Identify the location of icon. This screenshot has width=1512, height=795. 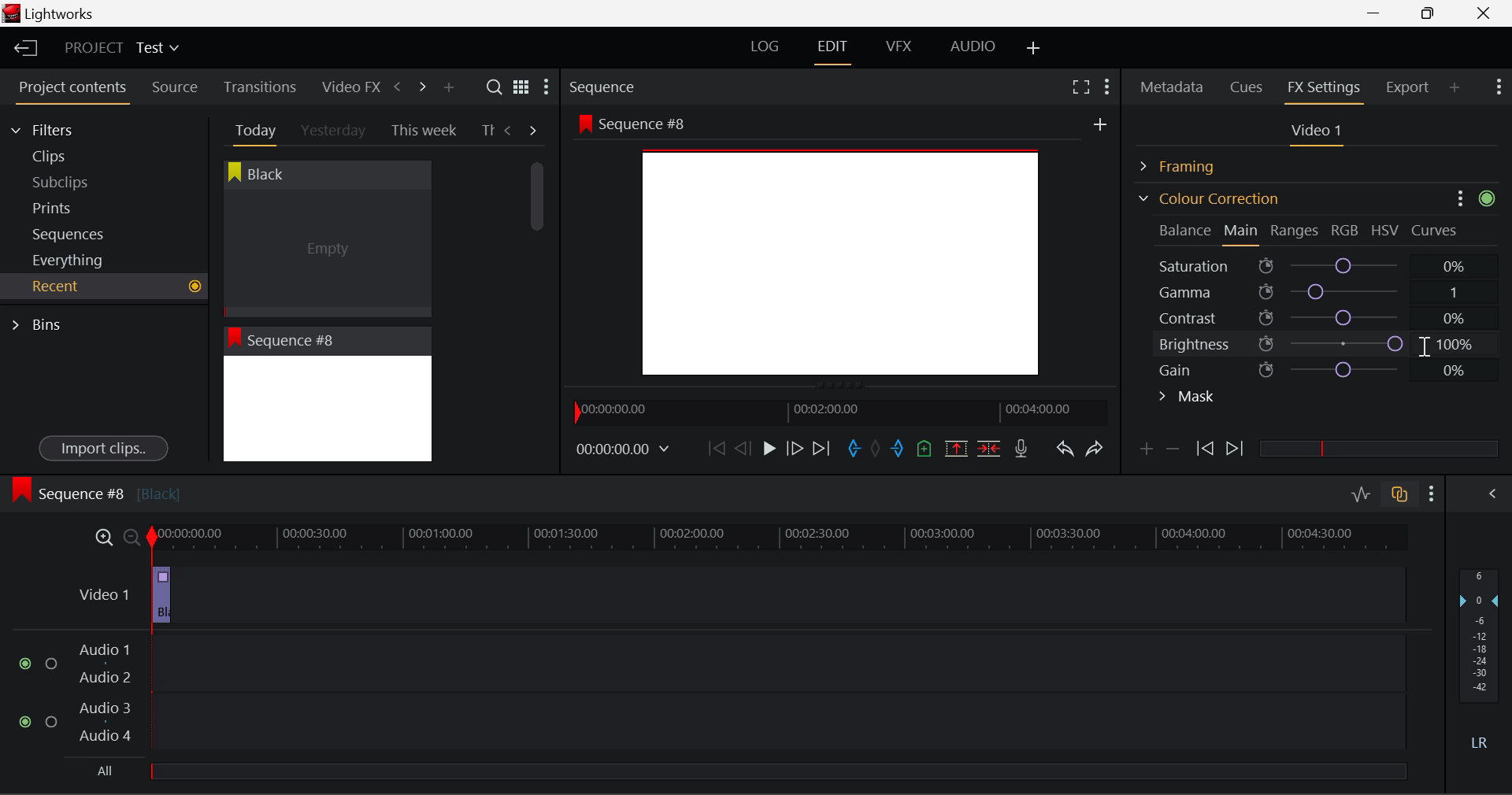
(1489, 198).